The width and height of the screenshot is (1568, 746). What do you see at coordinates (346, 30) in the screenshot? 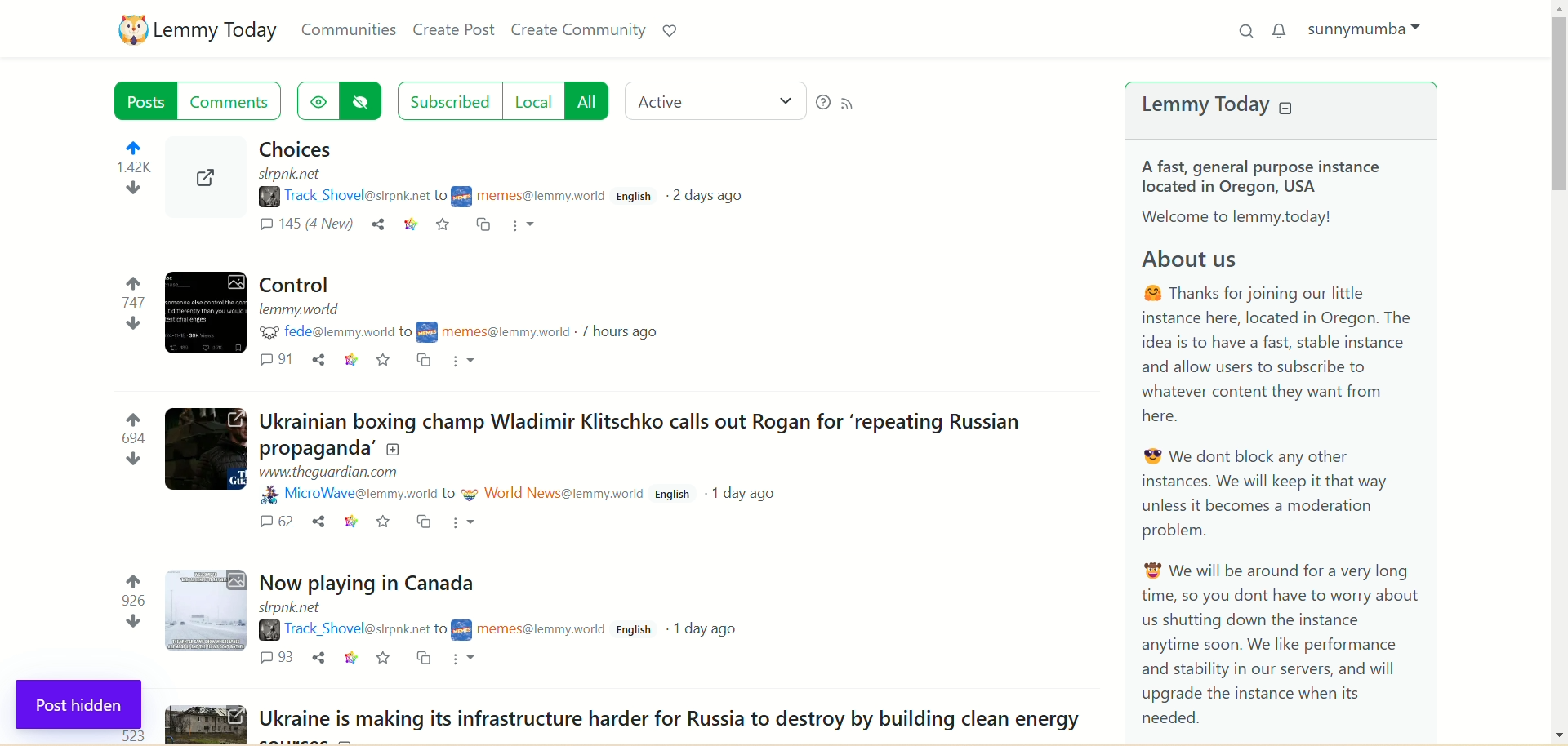
I see `communities` at bounding box center [346, 30].